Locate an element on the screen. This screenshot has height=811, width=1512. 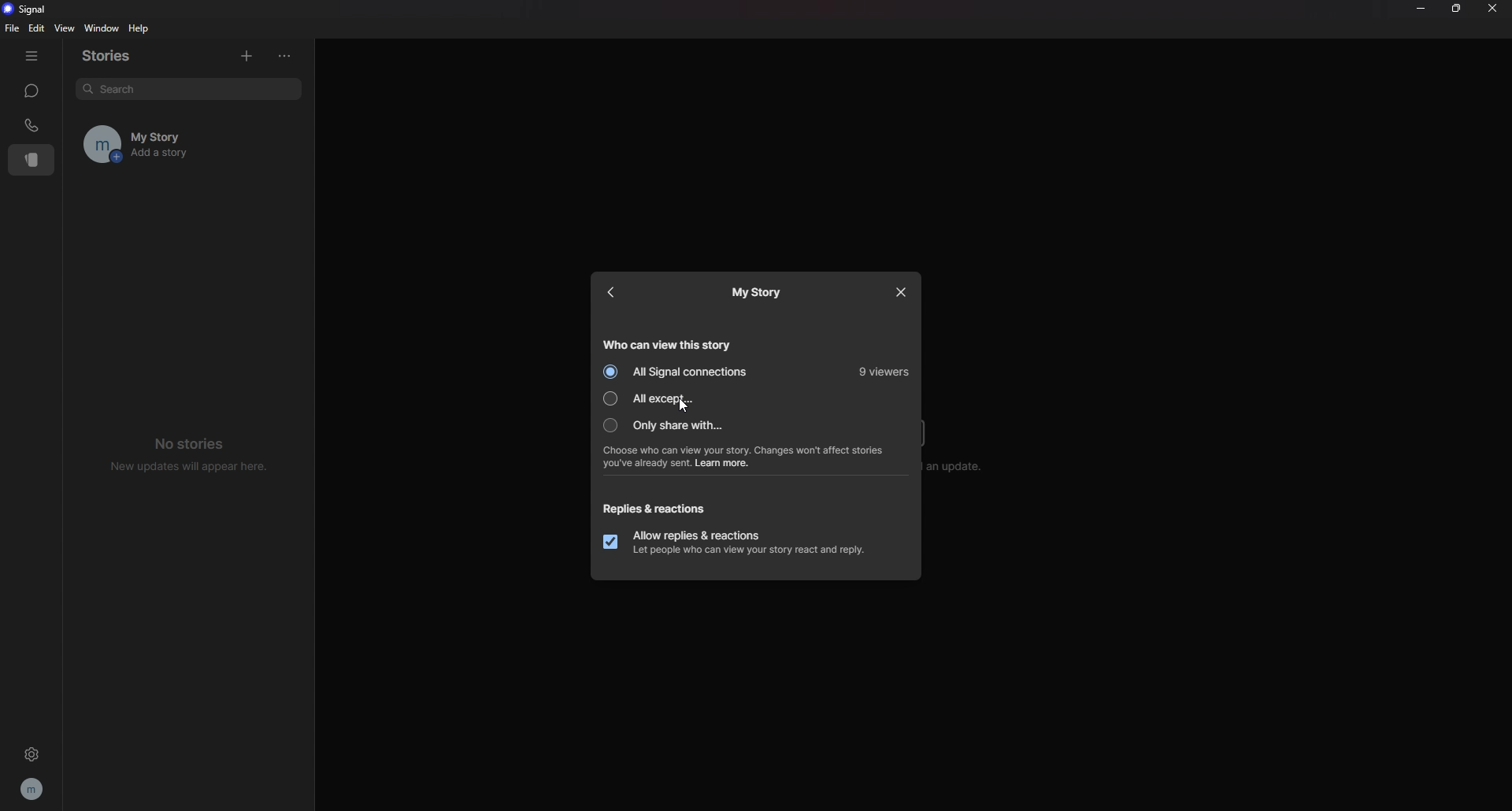
help is located at coordinates (140, 28).